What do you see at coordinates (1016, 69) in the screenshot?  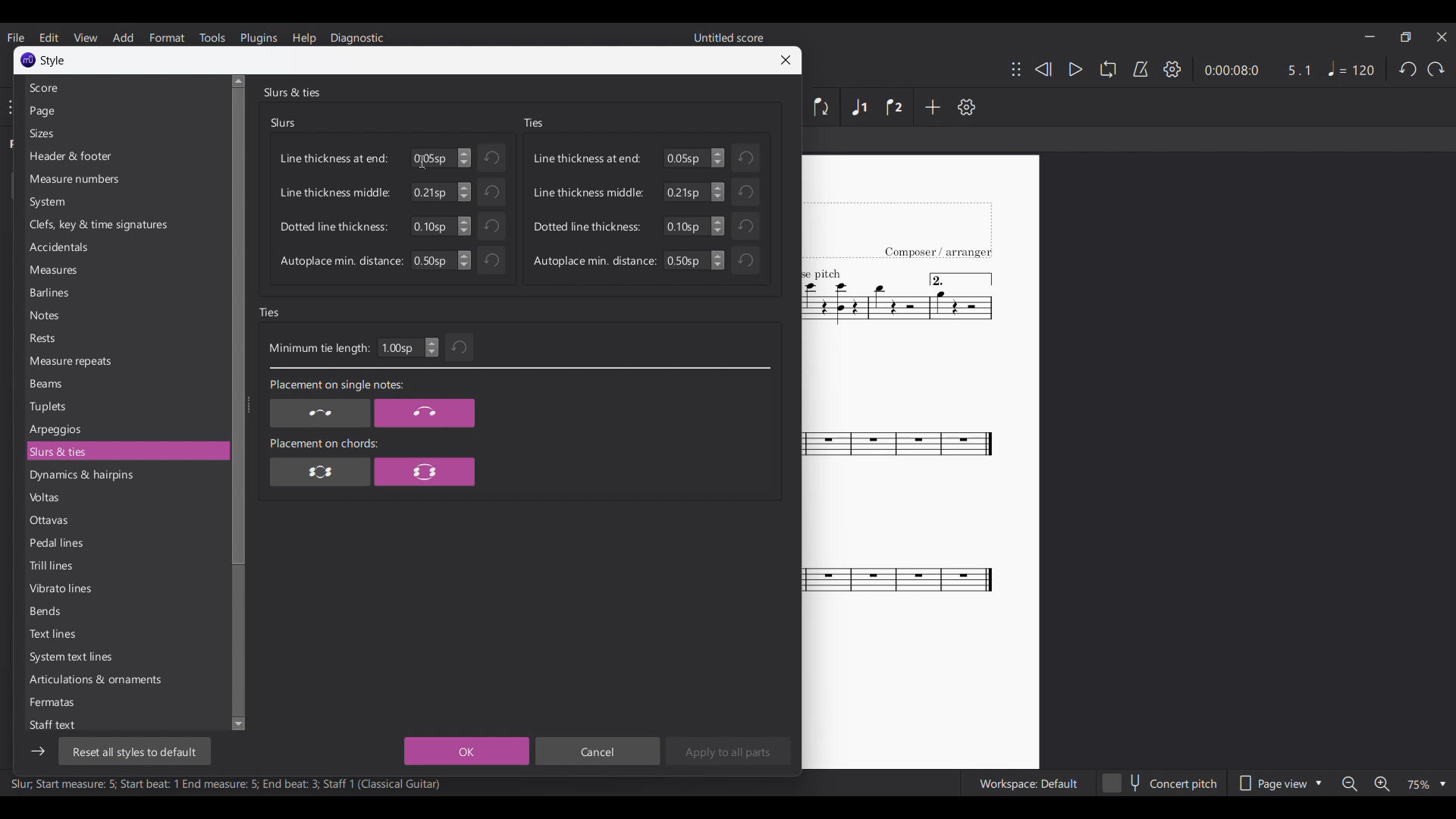 I see `Change position` at bounding box center [1016, 69].